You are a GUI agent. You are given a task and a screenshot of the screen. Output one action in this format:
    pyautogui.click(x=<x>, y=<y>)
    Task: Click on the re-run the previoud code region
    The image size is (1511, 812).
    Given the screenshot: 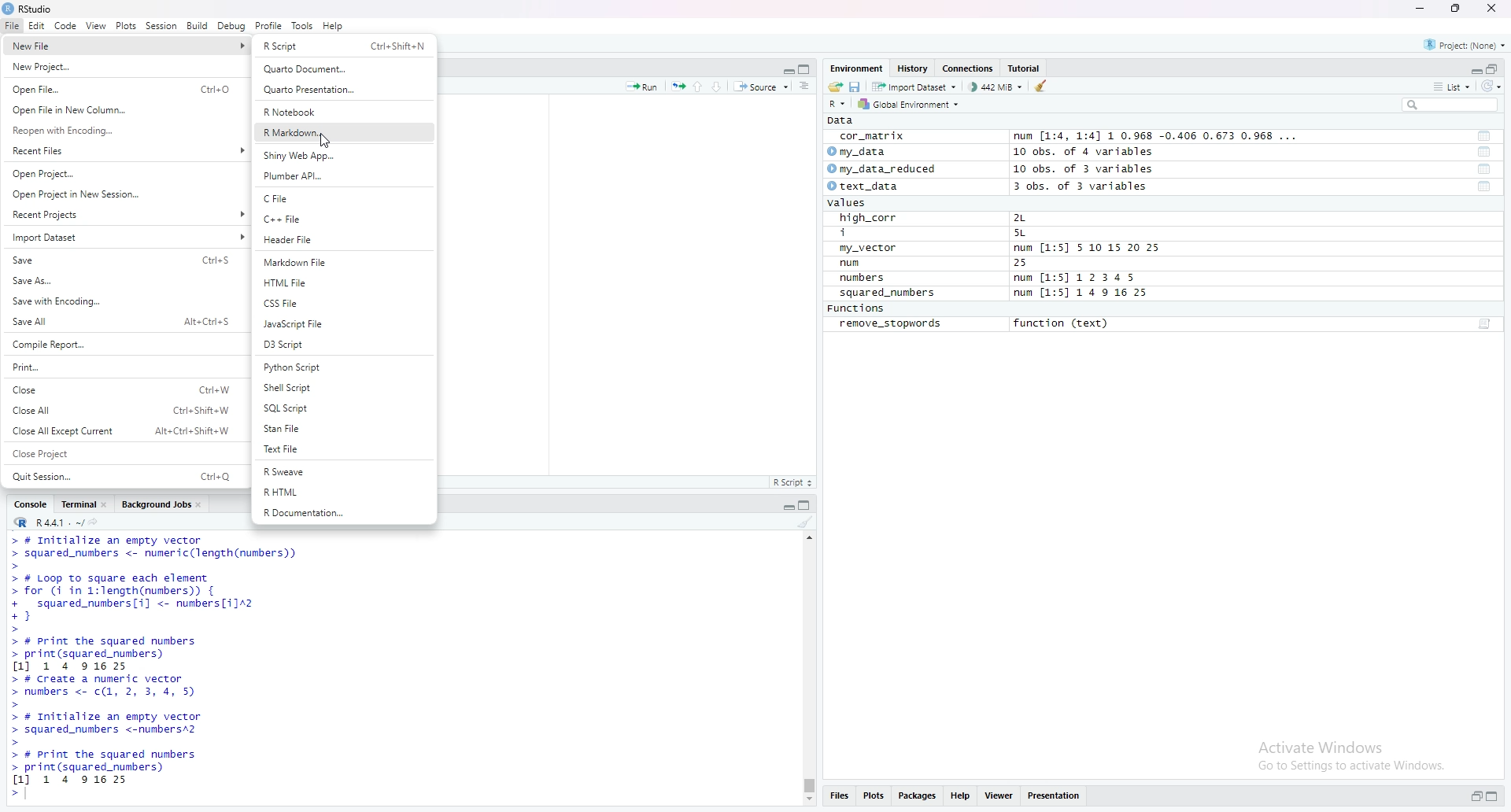 What is the action you would take?
    pyautogui.click(x=678, y=87)
    